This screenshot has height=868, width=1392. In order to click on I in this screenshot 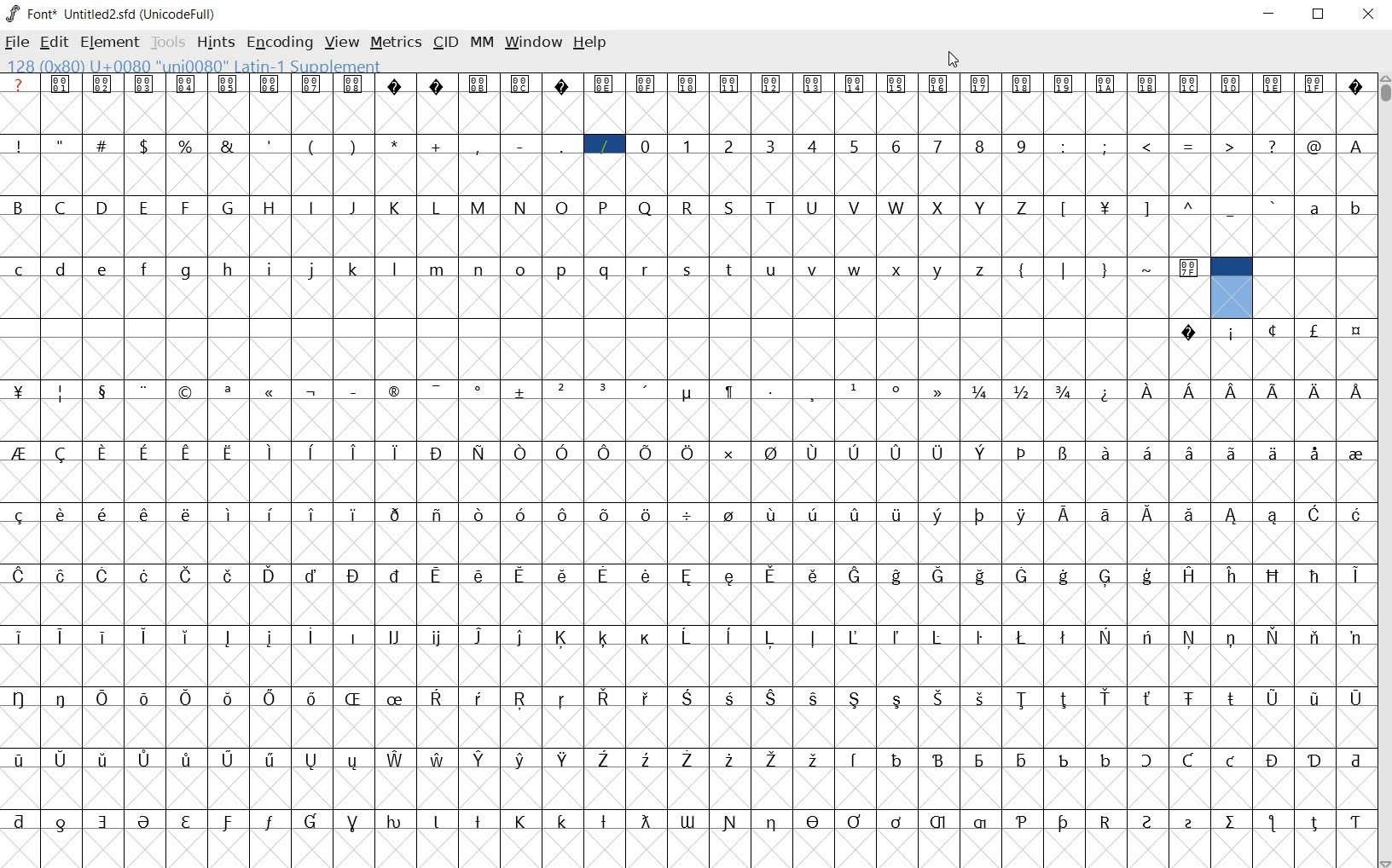, I will do `click(313, 206)`.